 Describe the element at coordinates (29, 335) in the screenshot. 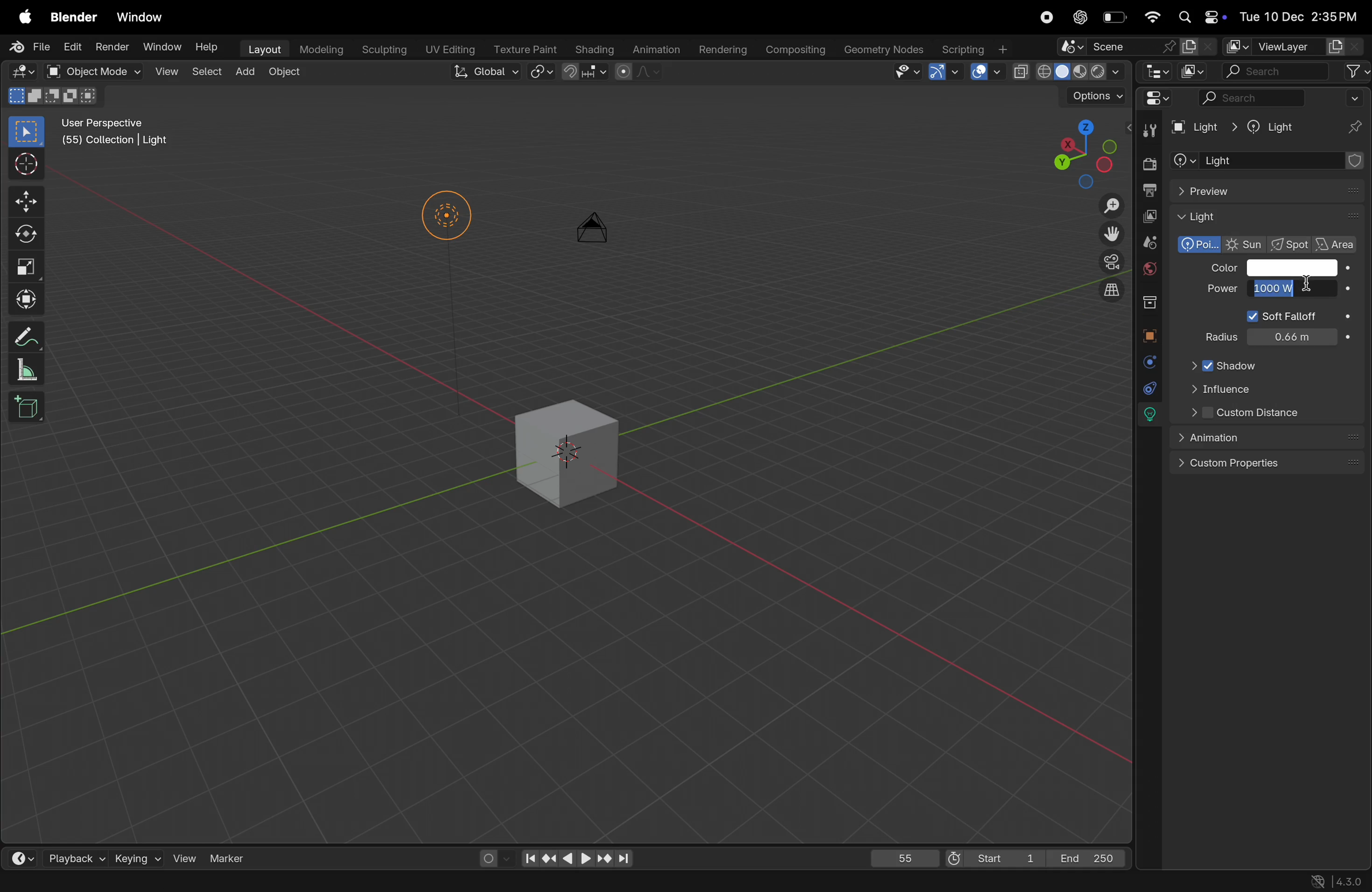

I see `annotate` at that location.